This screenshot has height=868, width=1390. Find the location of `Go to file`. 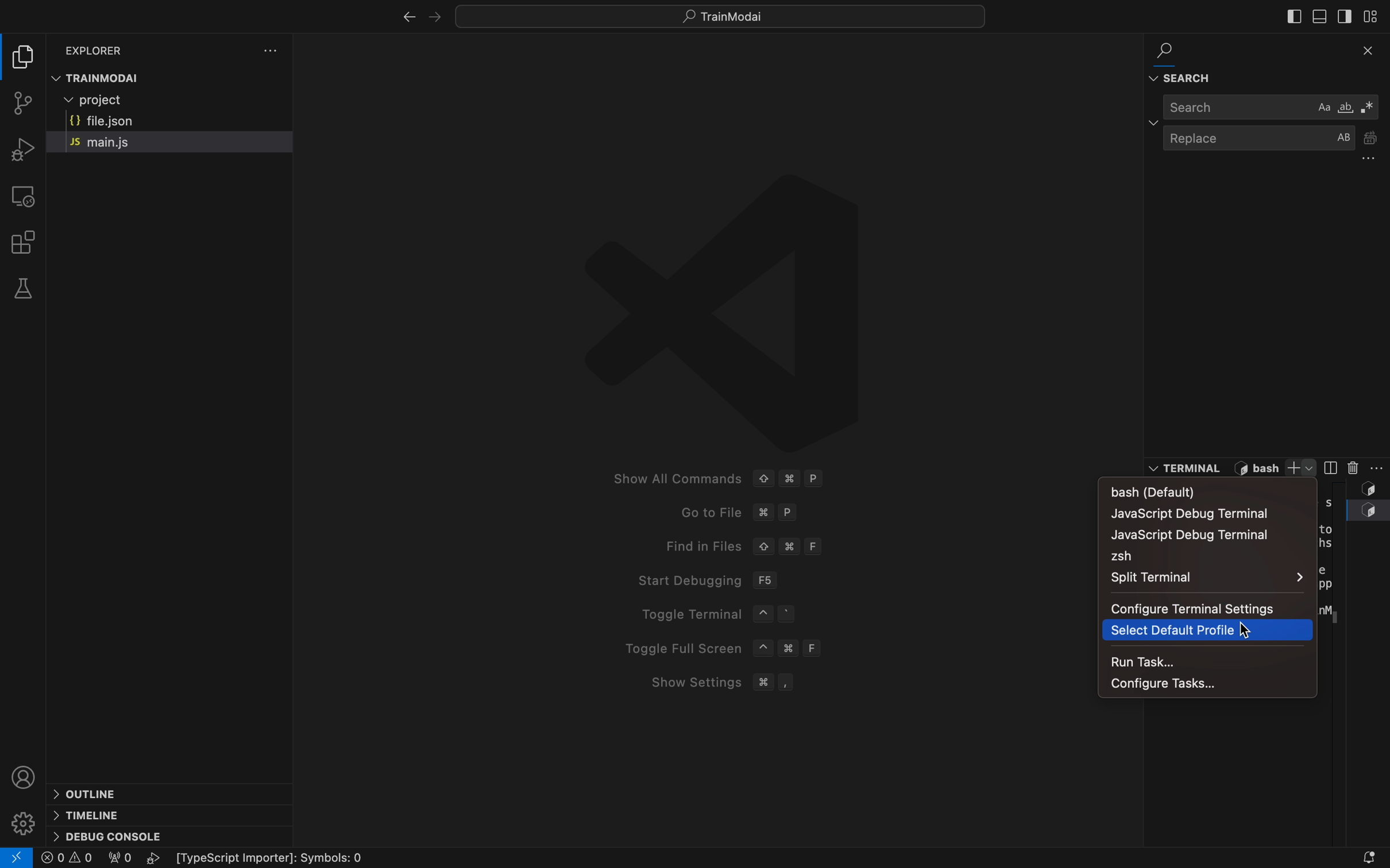

Go to file is located at coordinates (797, 514).